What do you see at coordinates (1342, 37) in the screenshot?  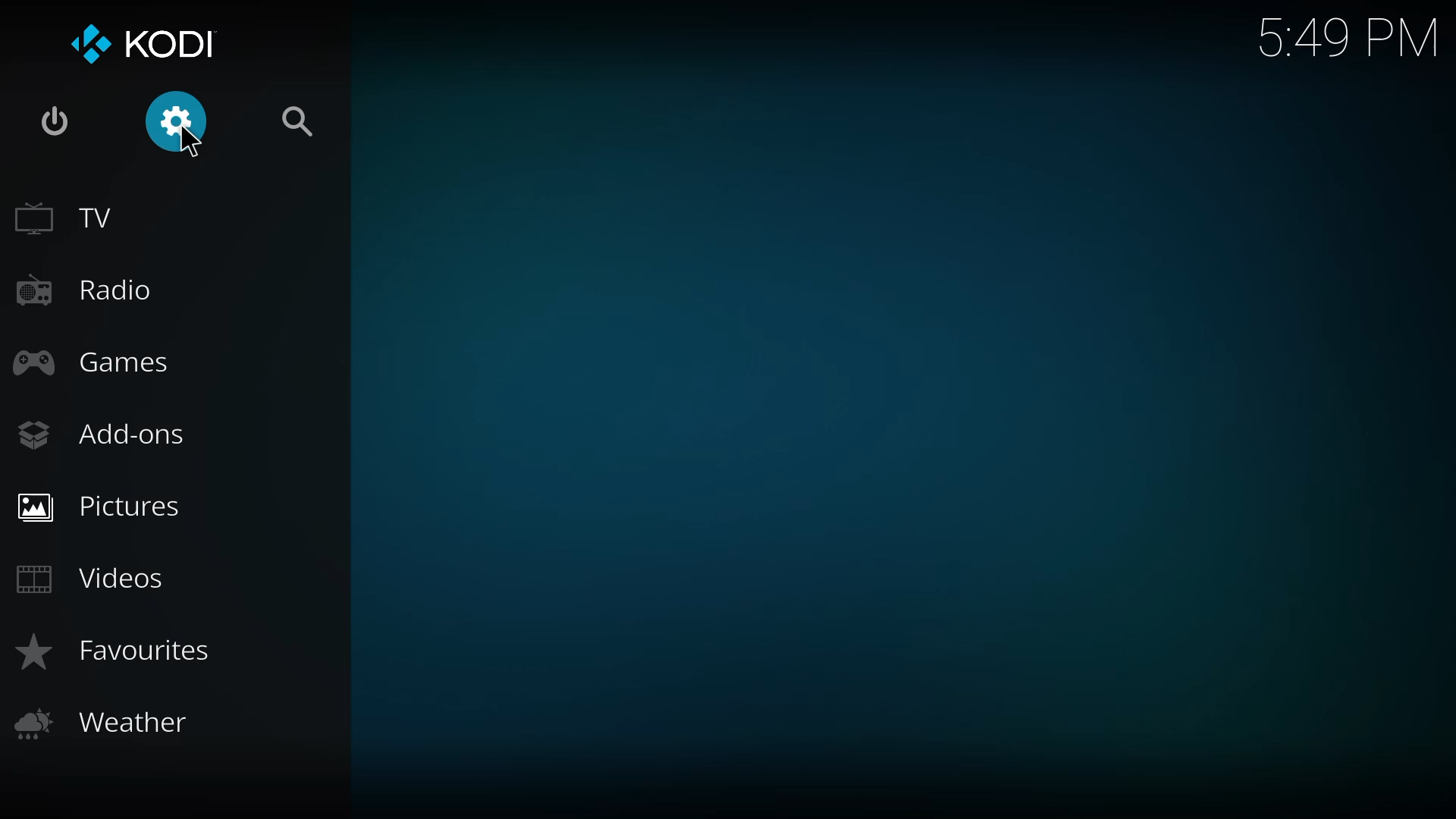 I see `time` at bounding box center [1342, 37].